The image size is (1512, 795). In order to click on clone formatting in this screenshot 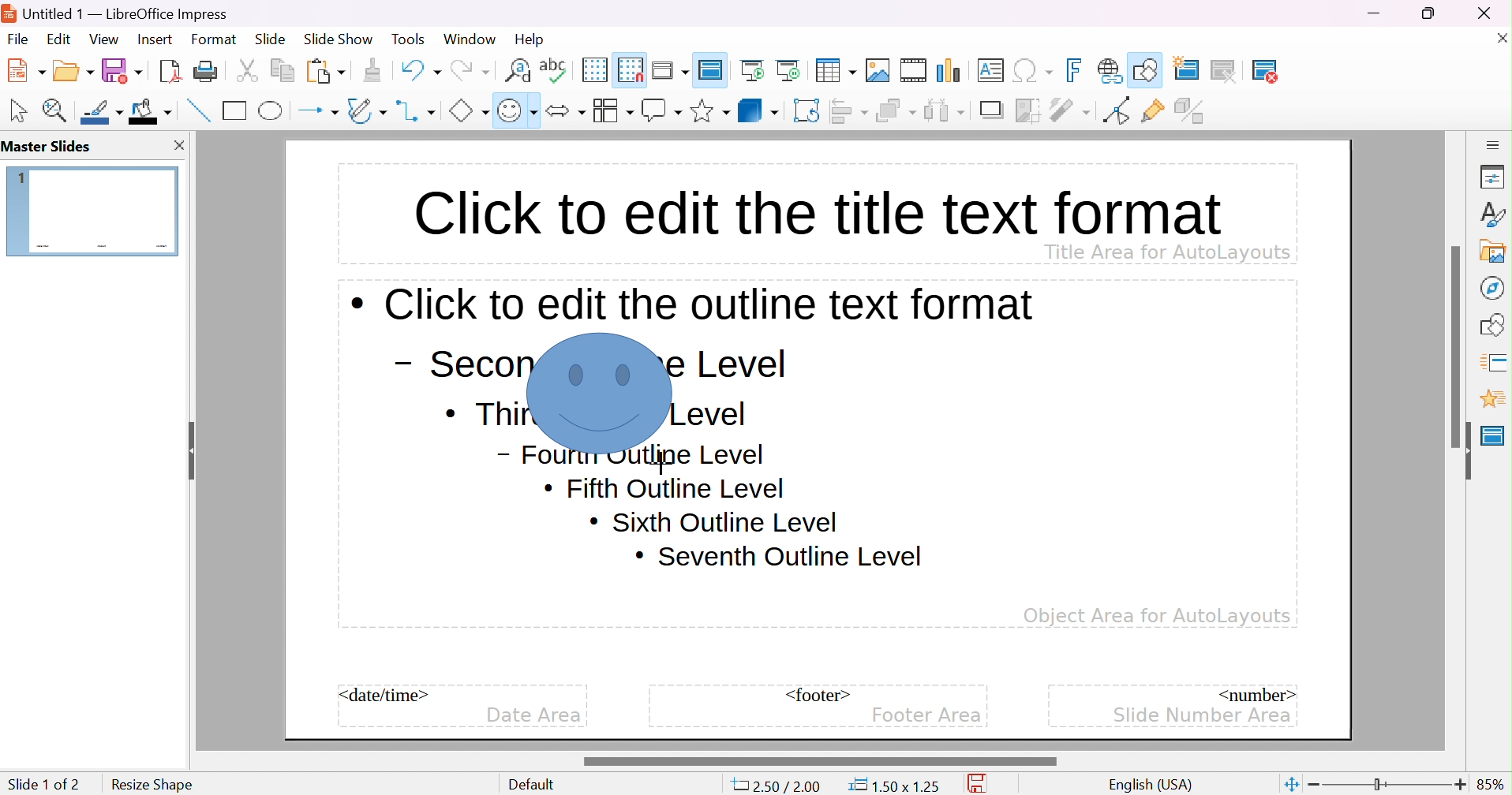, I will do `click(372, 70)`.